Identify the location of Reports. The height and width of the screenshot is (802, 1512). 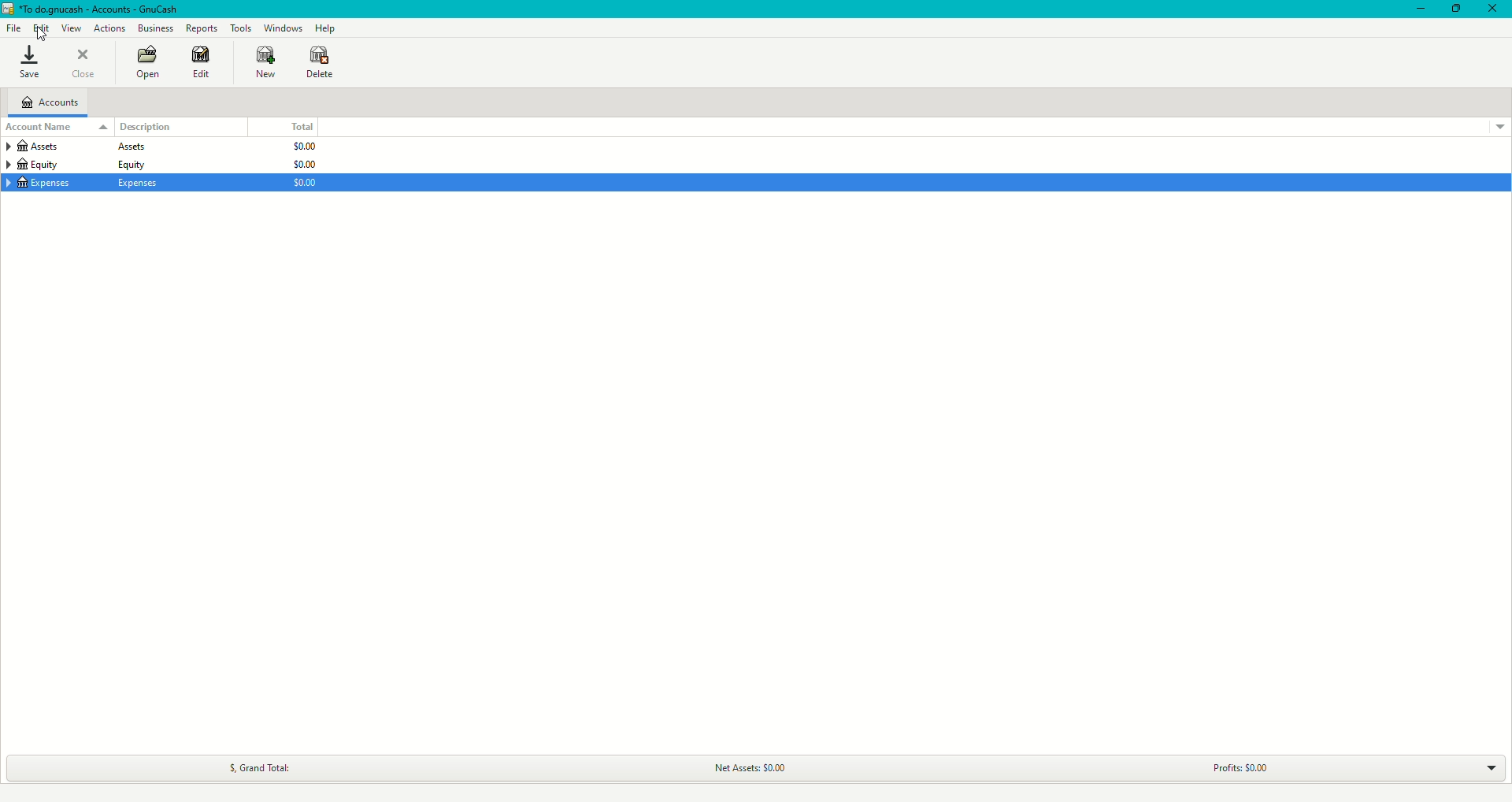
(203, 28).